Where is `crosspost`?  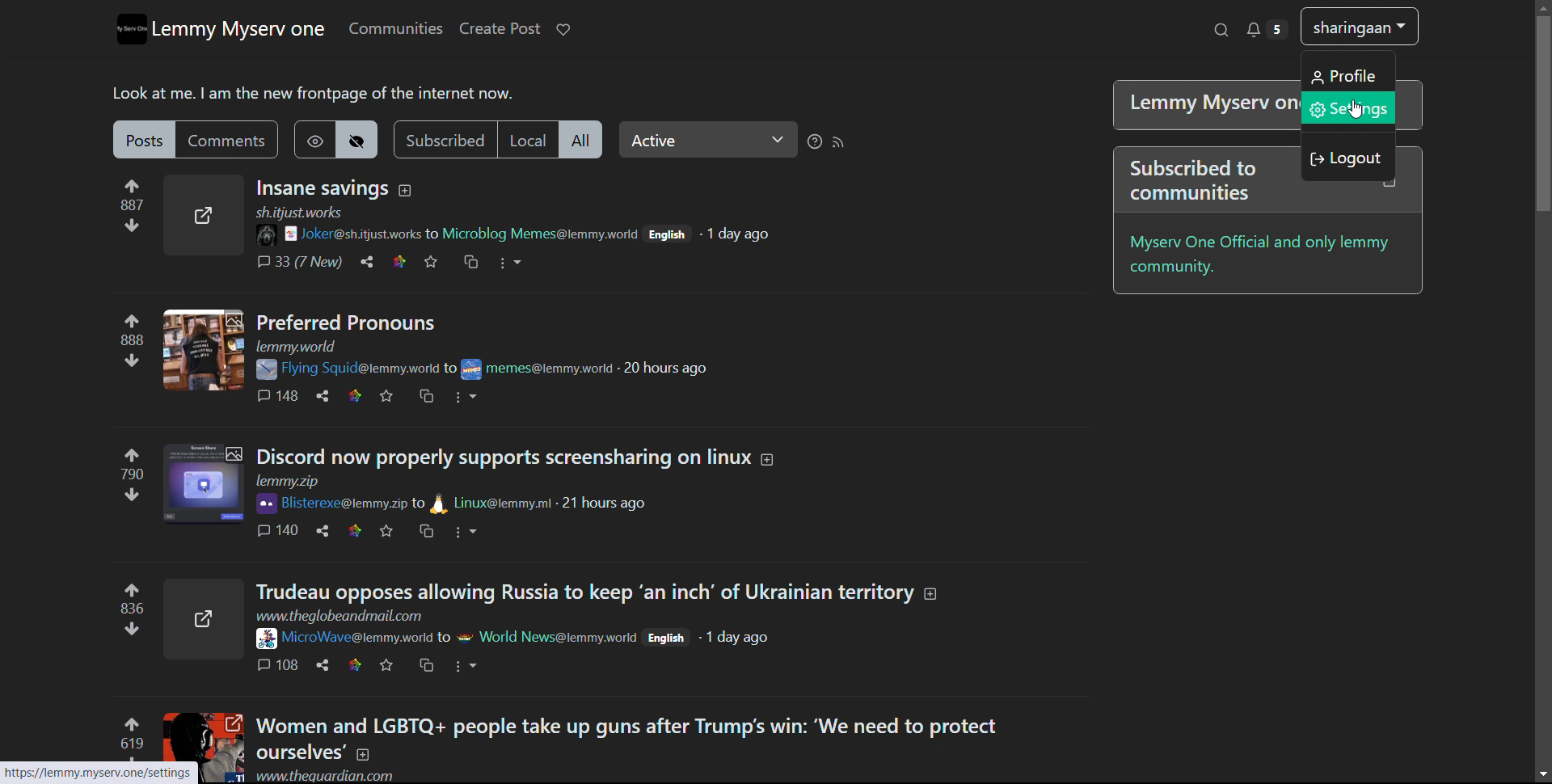 crosspost is located at coordinates (425, 396).